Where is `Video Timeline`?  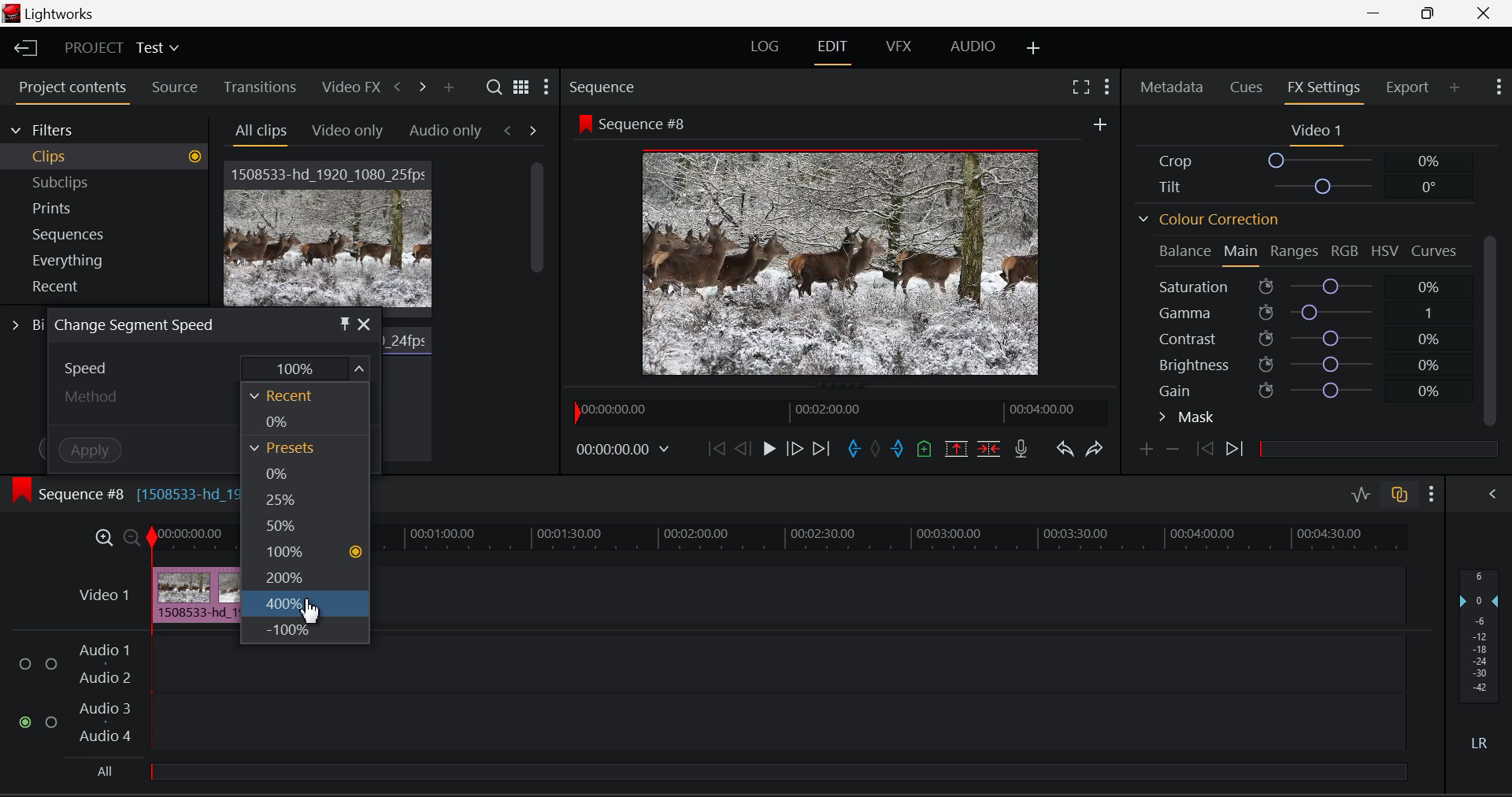 Video Timeline is located at coordinates (98, 597).